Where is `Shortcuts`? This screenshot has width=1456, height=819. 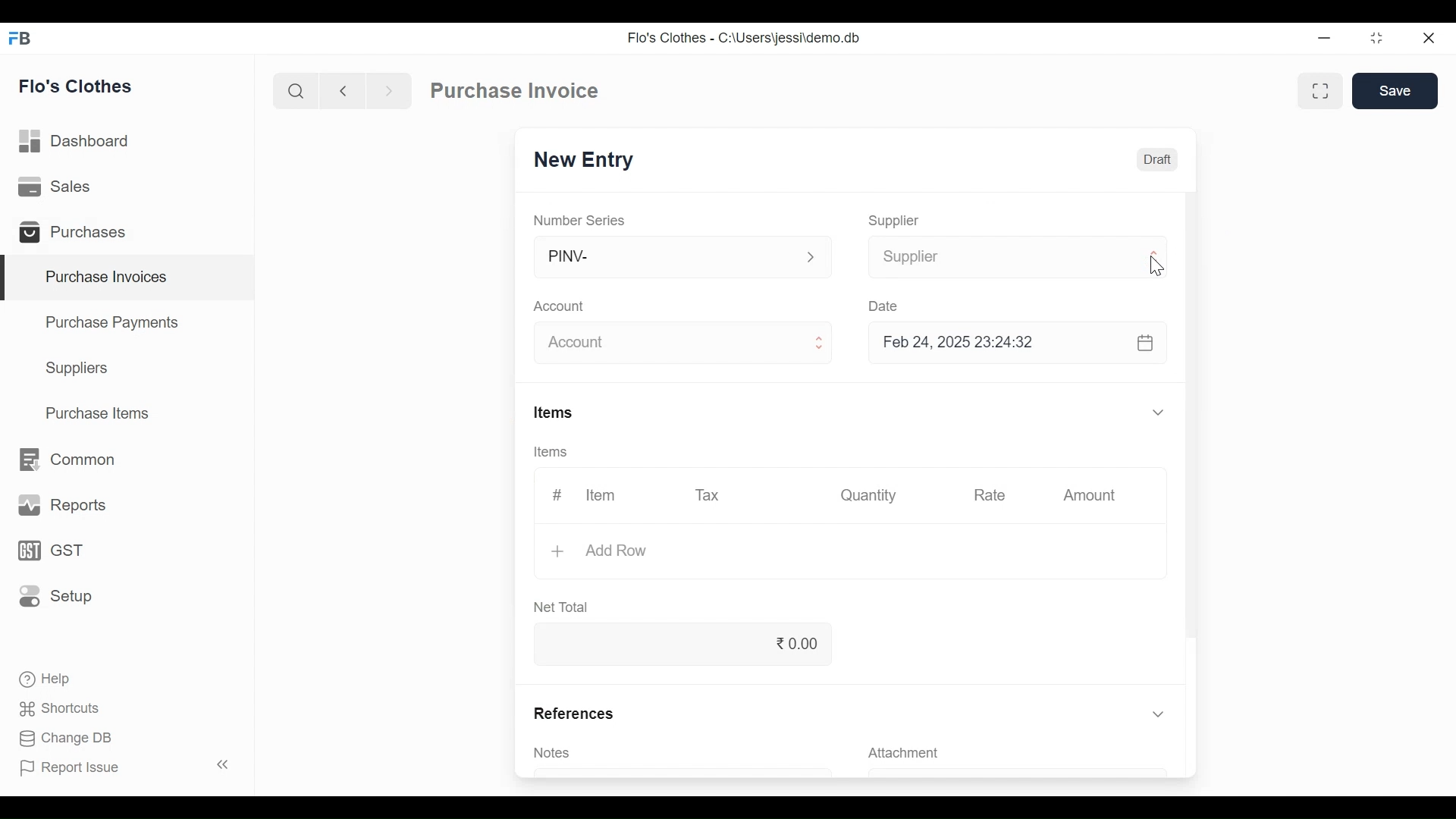
Shortcuts is located at coordinates (60, 710).